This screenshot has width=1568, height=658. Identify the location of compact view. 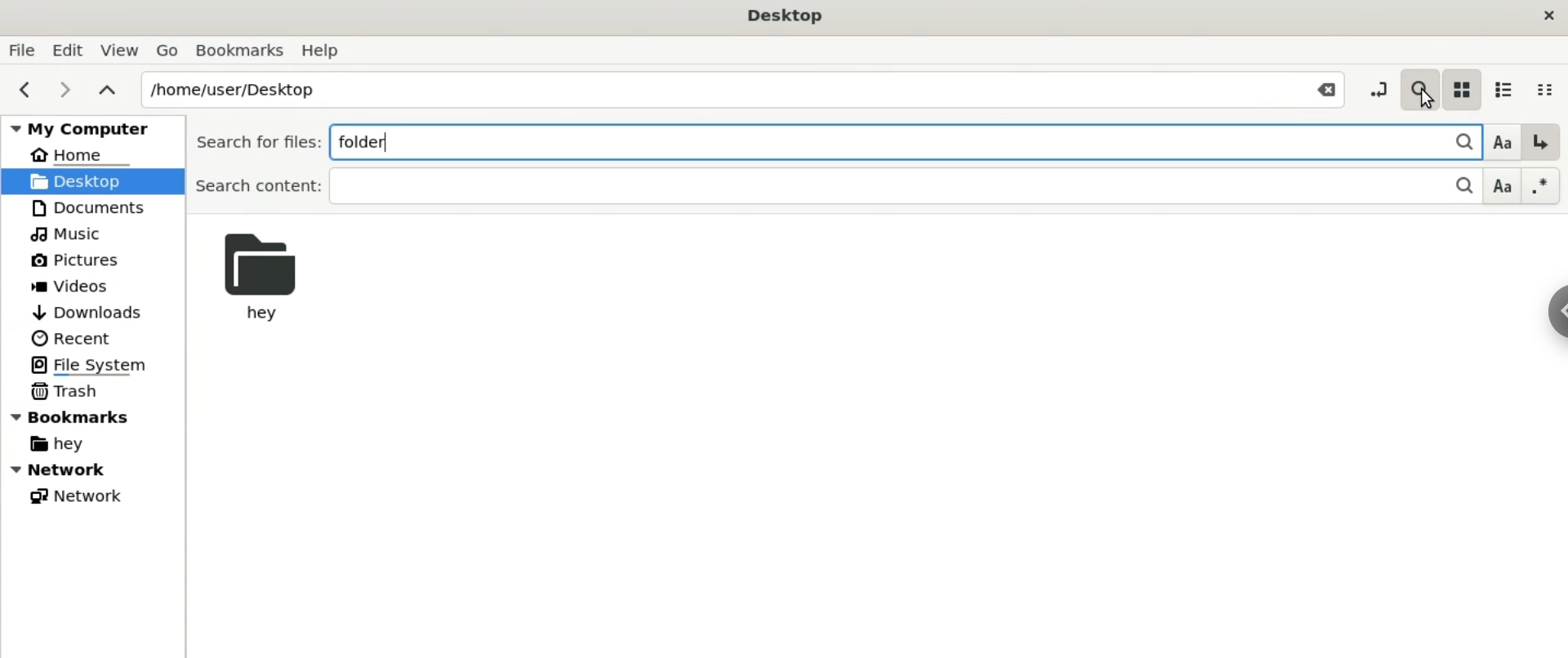
(1549, 86).